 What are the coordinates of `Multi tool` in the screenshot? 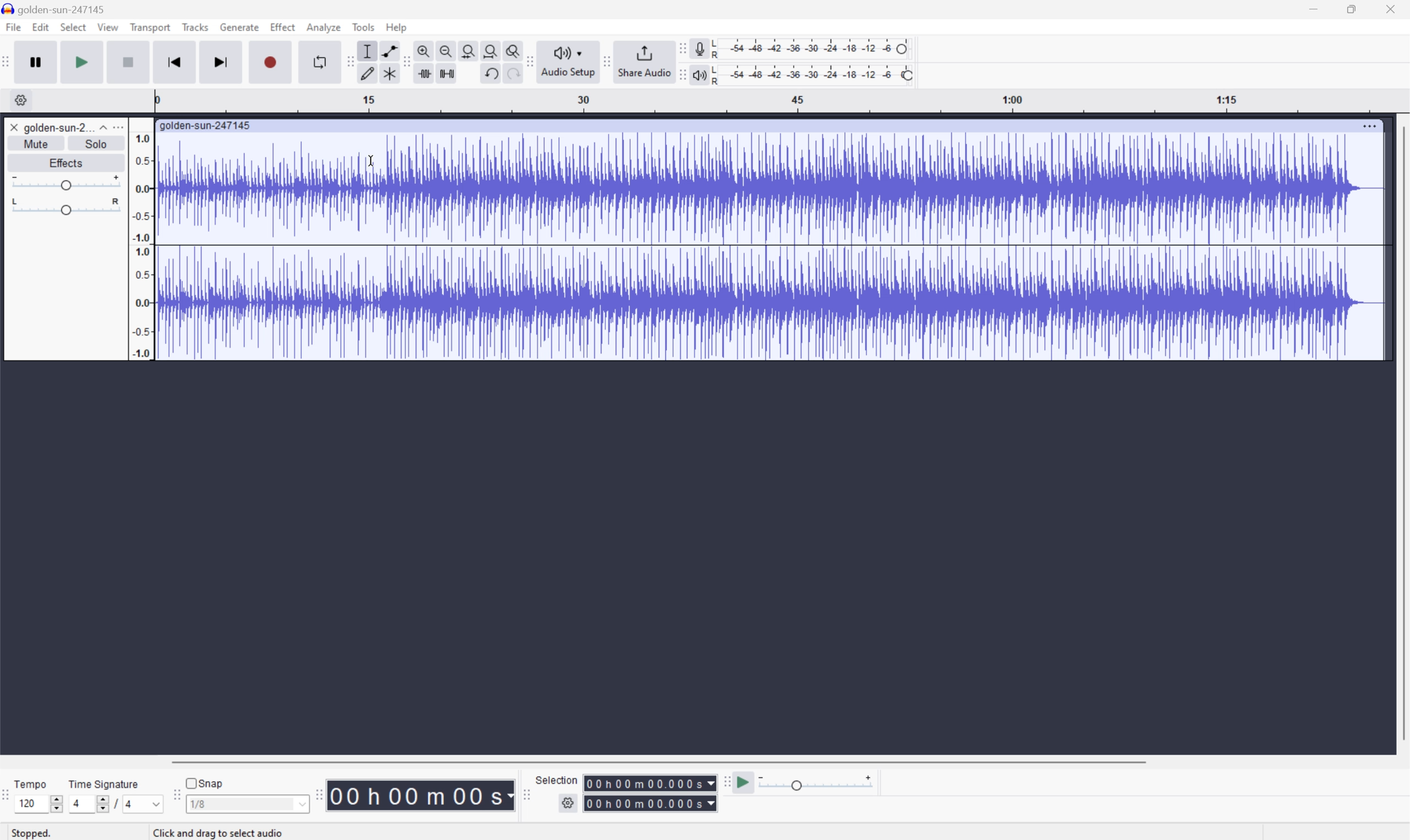 It's located at (391, 72).